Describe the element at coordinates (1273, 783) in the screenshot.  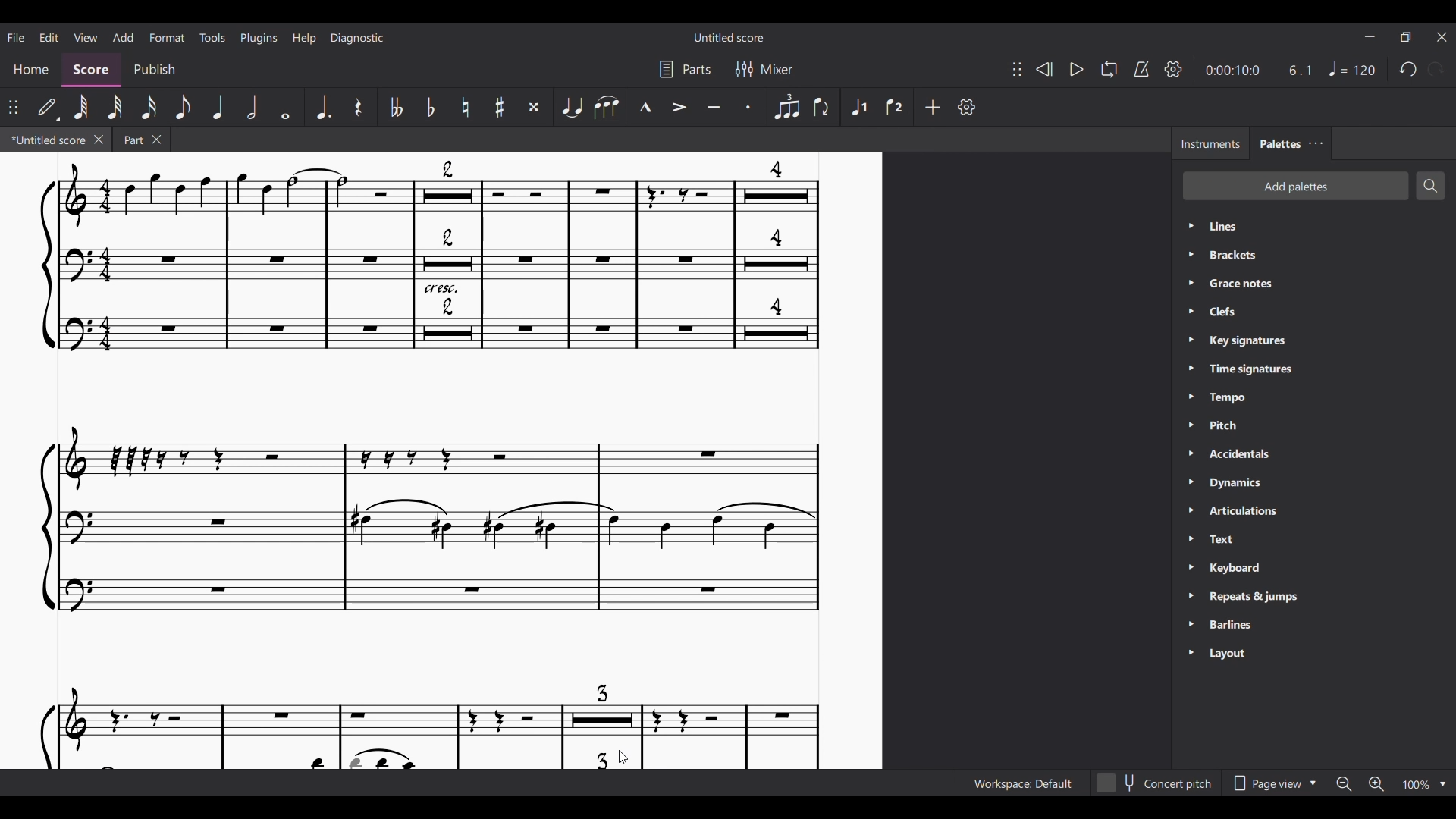
I see `Page view options` at that location.